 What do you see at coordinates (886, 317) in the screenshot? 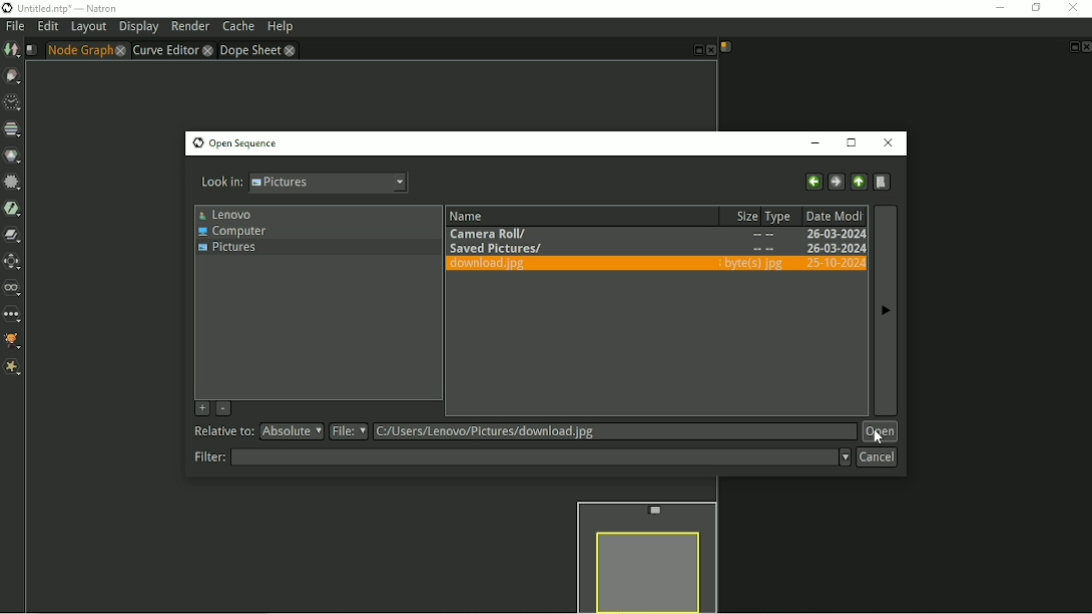
I see `Next` at bounding box center [886, 317].